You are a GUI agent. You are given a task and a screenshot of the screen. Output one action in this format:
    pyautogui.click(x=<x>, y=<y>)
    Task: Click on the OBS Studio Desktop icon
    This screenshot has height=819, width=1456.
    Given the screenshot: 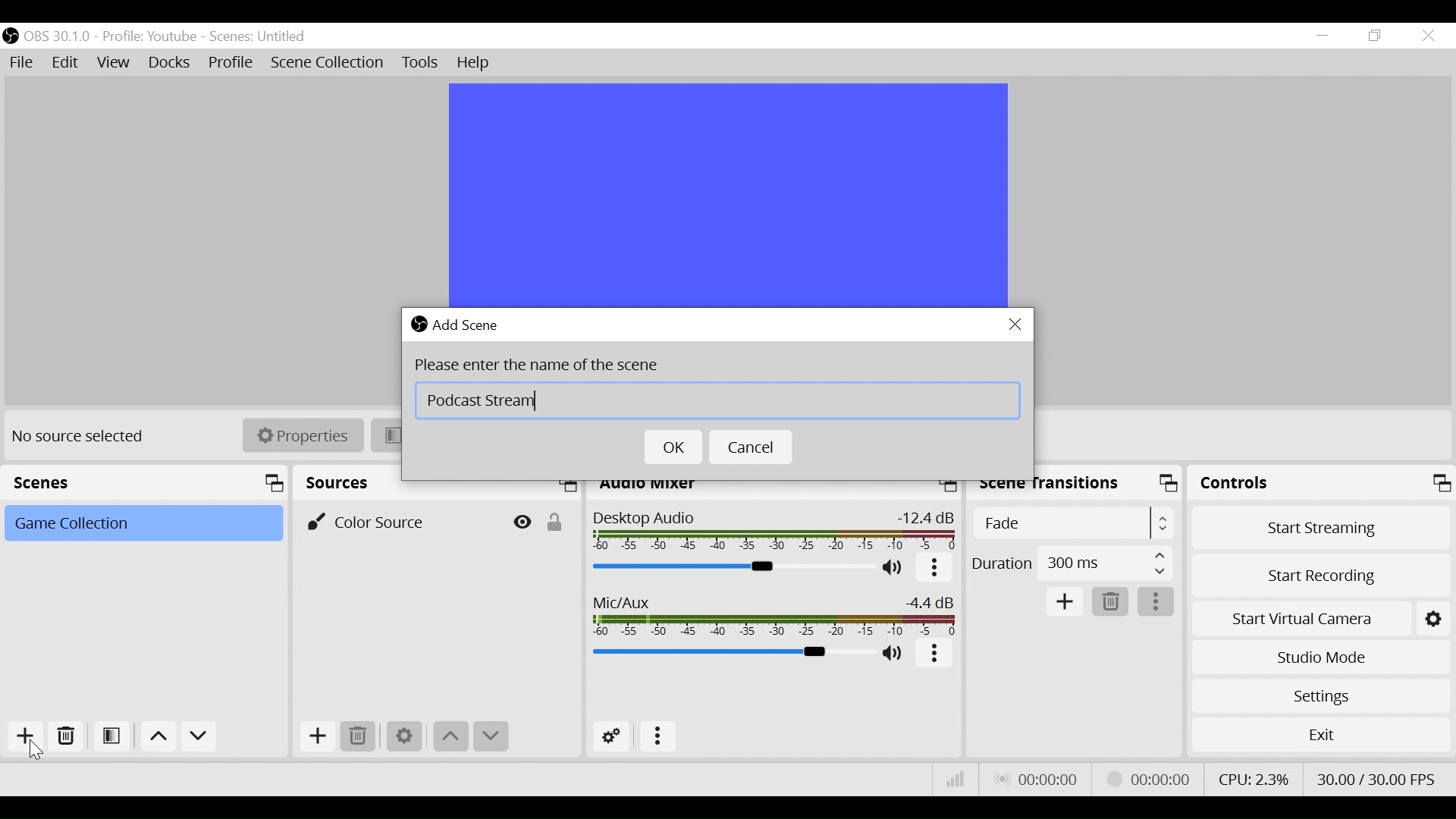 What is the action you would take?
    pyautogui.click(x=417, y=324)
    